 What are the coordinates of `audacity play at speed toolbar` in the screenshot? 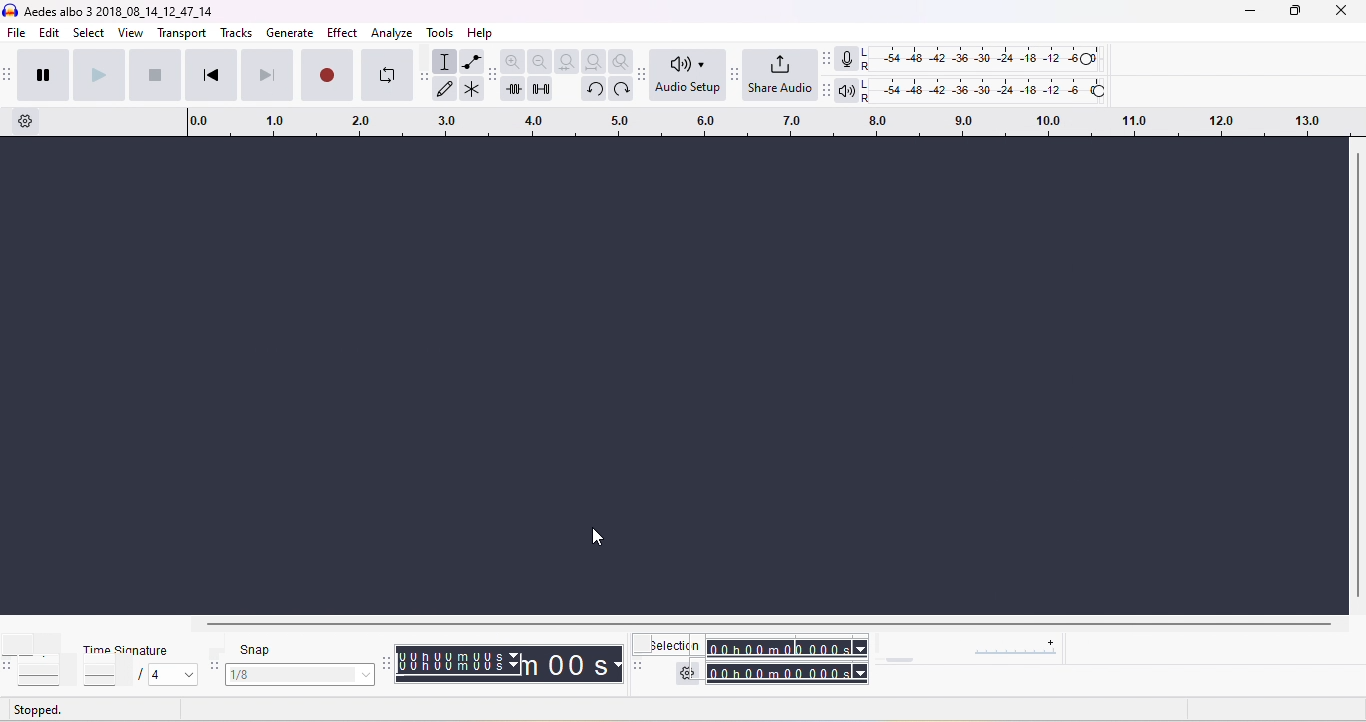 It's located at (881, 648).